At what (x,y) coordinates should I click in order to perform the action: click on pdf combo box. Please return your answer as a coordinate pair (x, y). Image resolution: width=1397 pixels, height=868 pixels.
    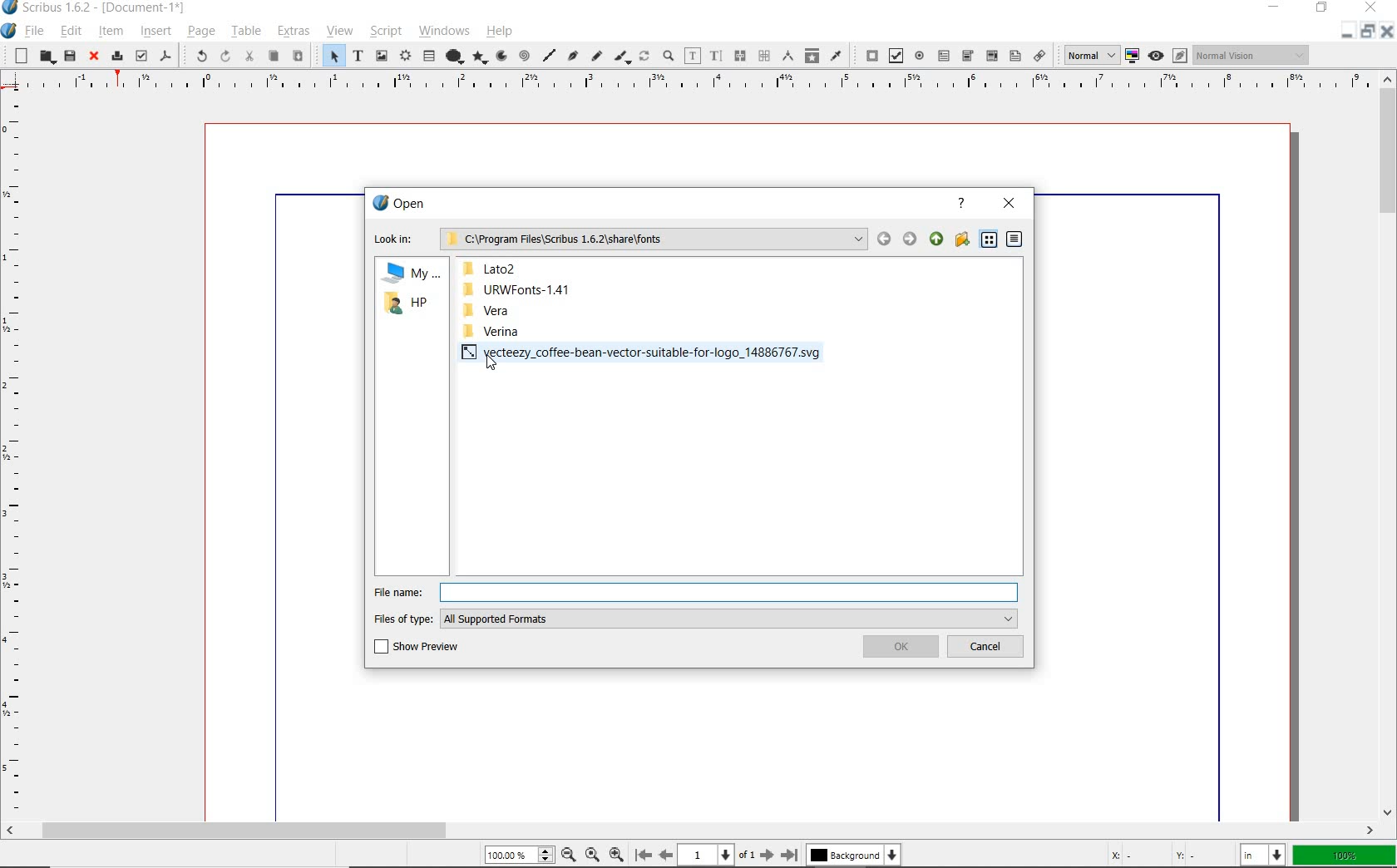
    Looking at the image, I should click on (990, 55).